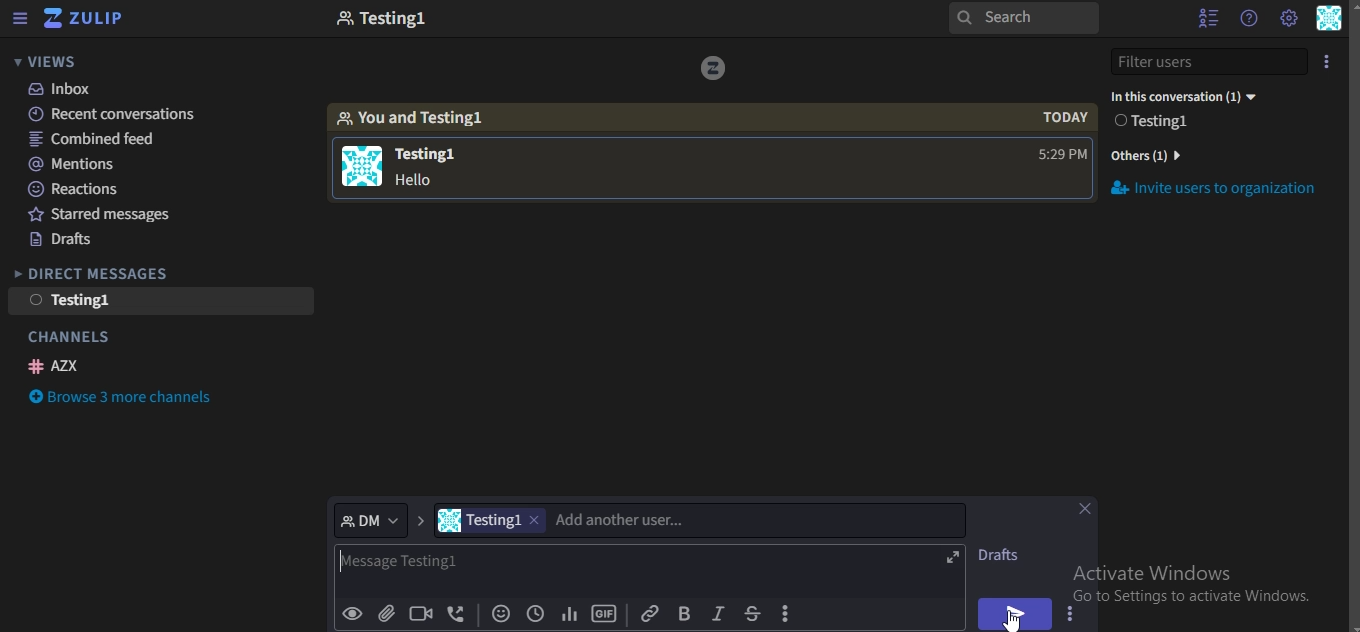  I want to click on recent conversations, so click(125, 116).